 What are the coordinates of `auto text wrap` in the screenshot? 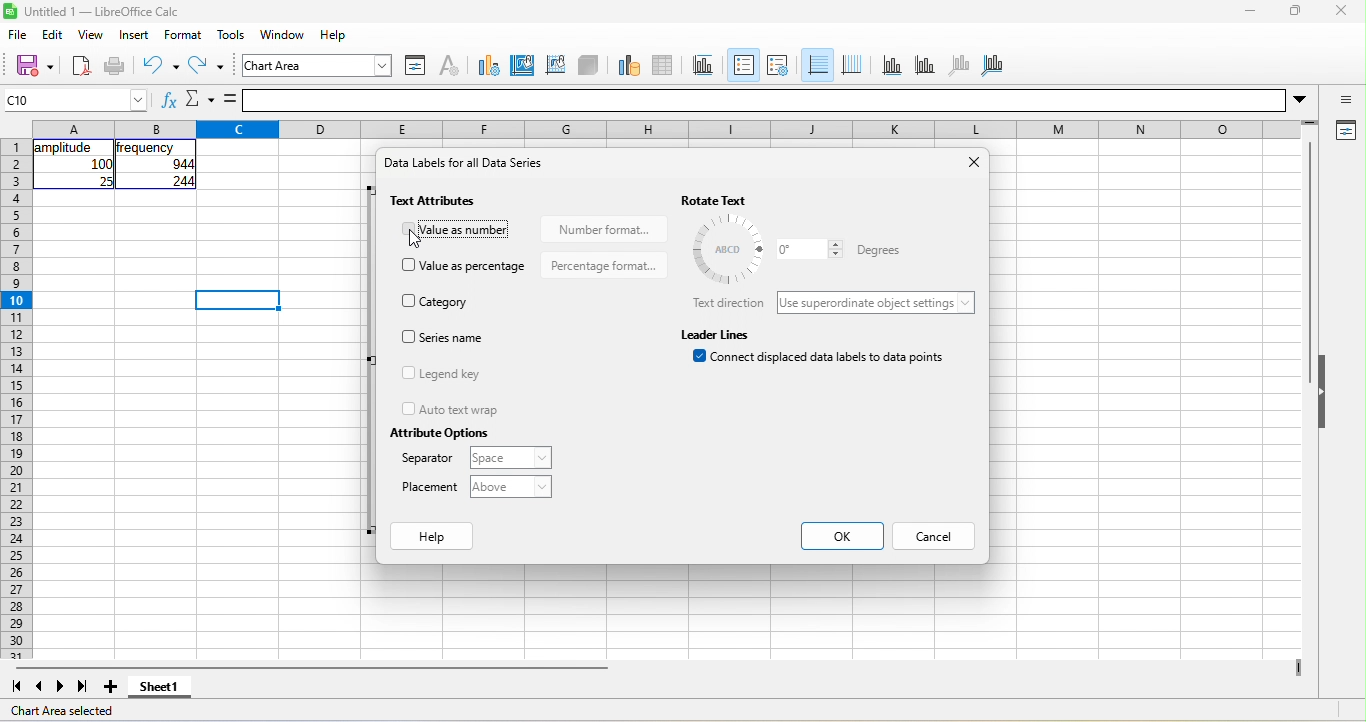 It's located at (450, 409).